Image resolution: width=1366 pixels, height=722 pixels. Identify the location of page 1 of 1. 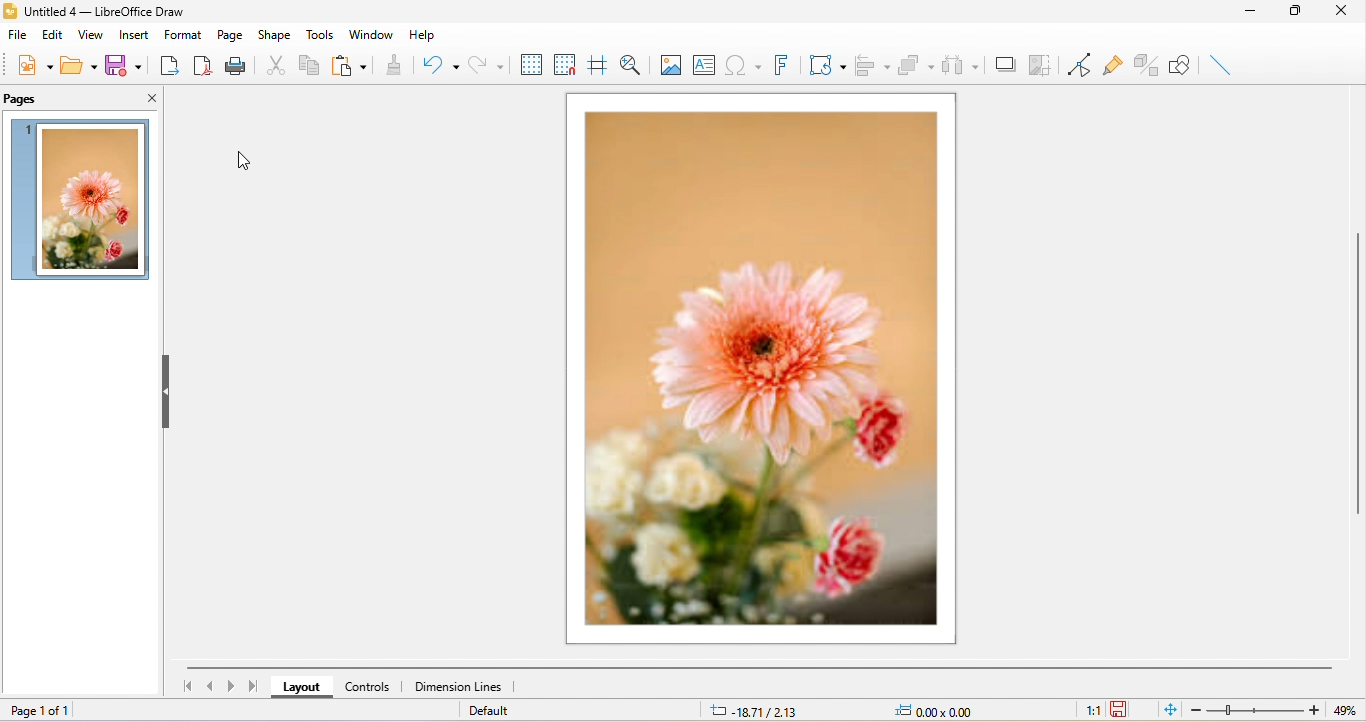
(50, 711).